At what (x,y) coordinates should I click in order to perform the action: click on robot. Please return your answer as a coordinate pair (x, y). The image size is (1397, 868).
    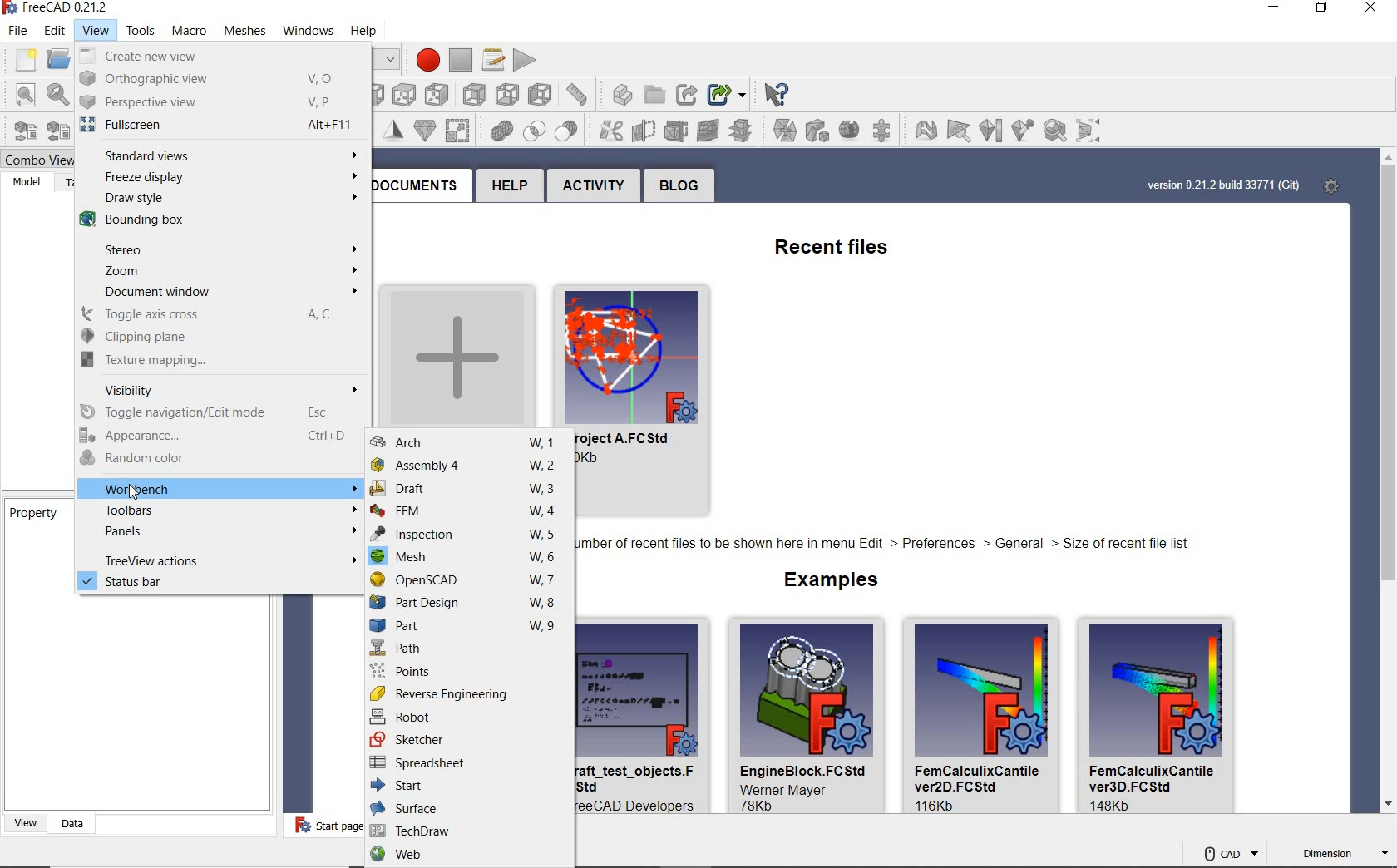
    Looking at the image, I should click on (468, 716).